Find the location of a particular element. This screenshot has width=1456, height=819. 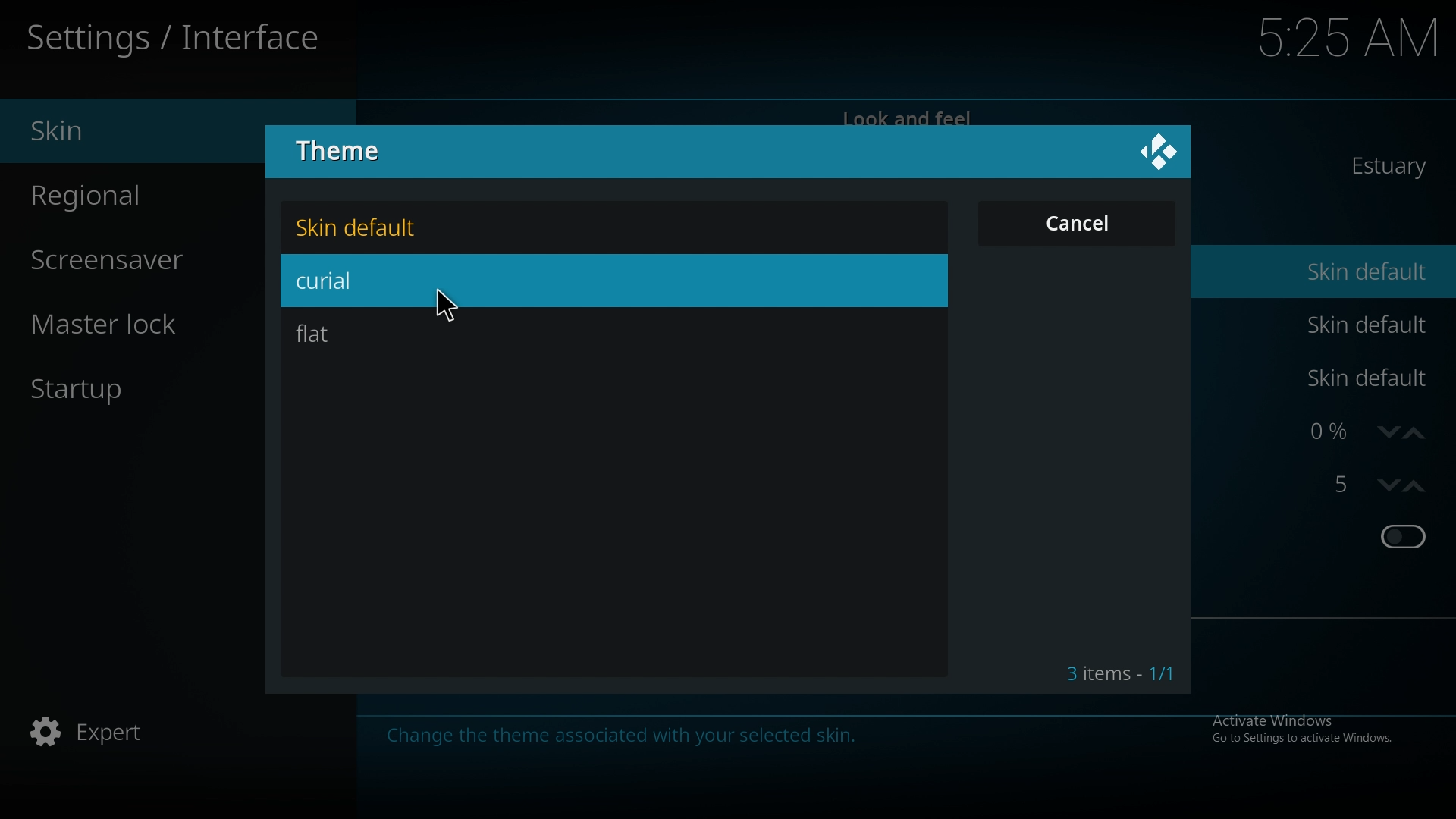

cancel is located at coordinates (1077, 223).